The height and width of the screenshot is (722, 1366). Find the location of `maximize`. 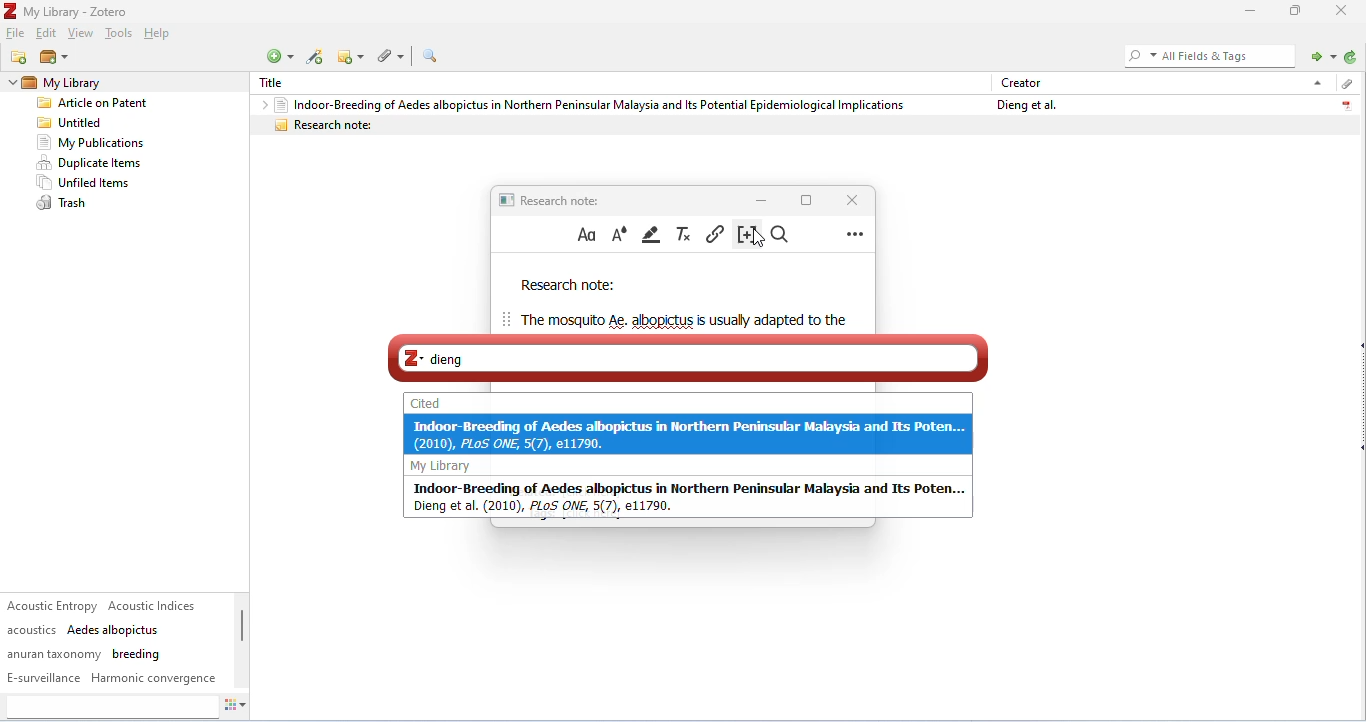

maximize is located at coordinates (1296, 10).